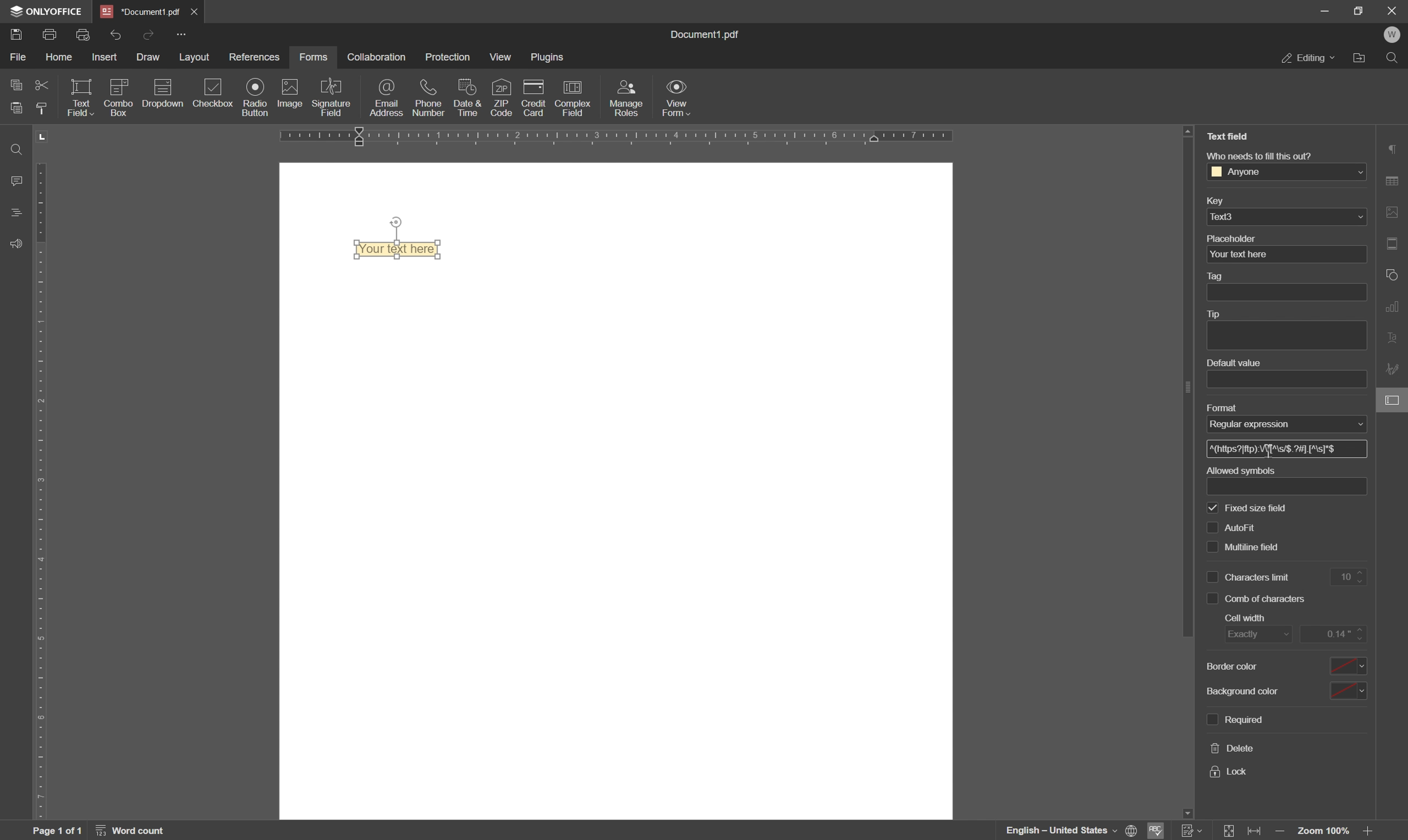 This screenshot has height=840, width=1408. What do you see at coordinates (572, 99) in the screenshot?
I see `complex field` at bounding box center [572, 99].